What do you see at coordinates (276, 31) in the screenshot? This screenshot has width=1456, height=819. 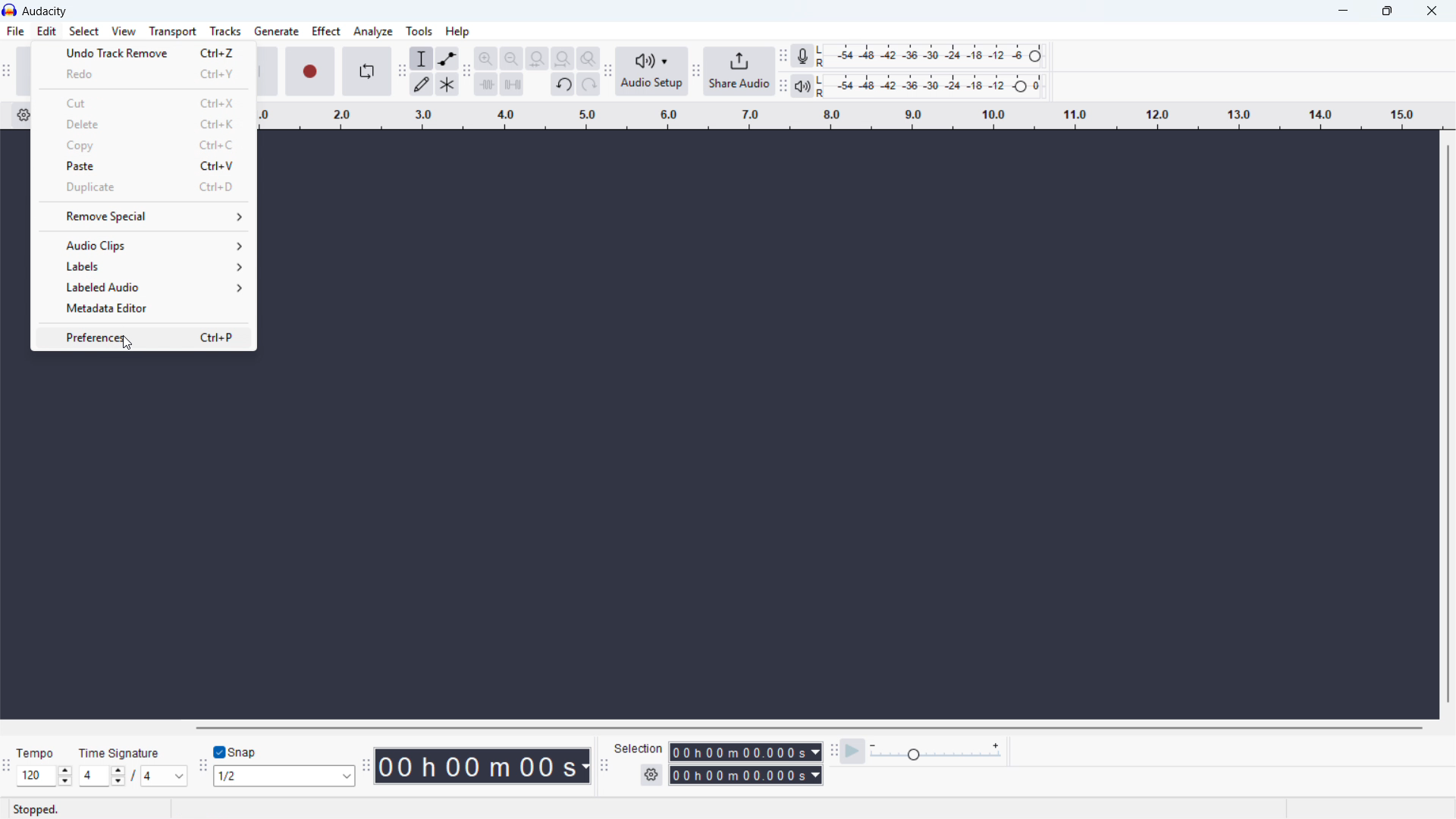 I see `generate` at bounding box center [276, 31].